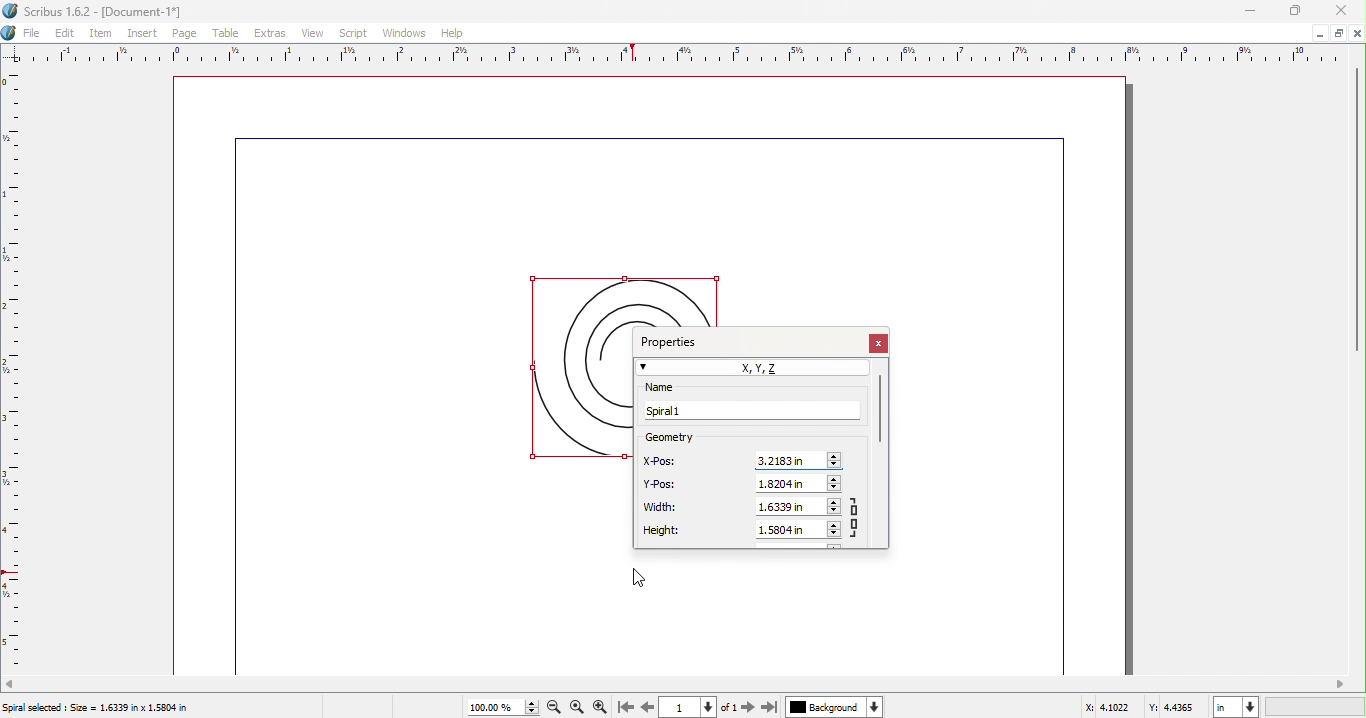 Image resolution: width=1366 pixels, height=718 pixels. Describe the element at coordinates (65, 32) in the screenshot. I see `Edit` at that location.